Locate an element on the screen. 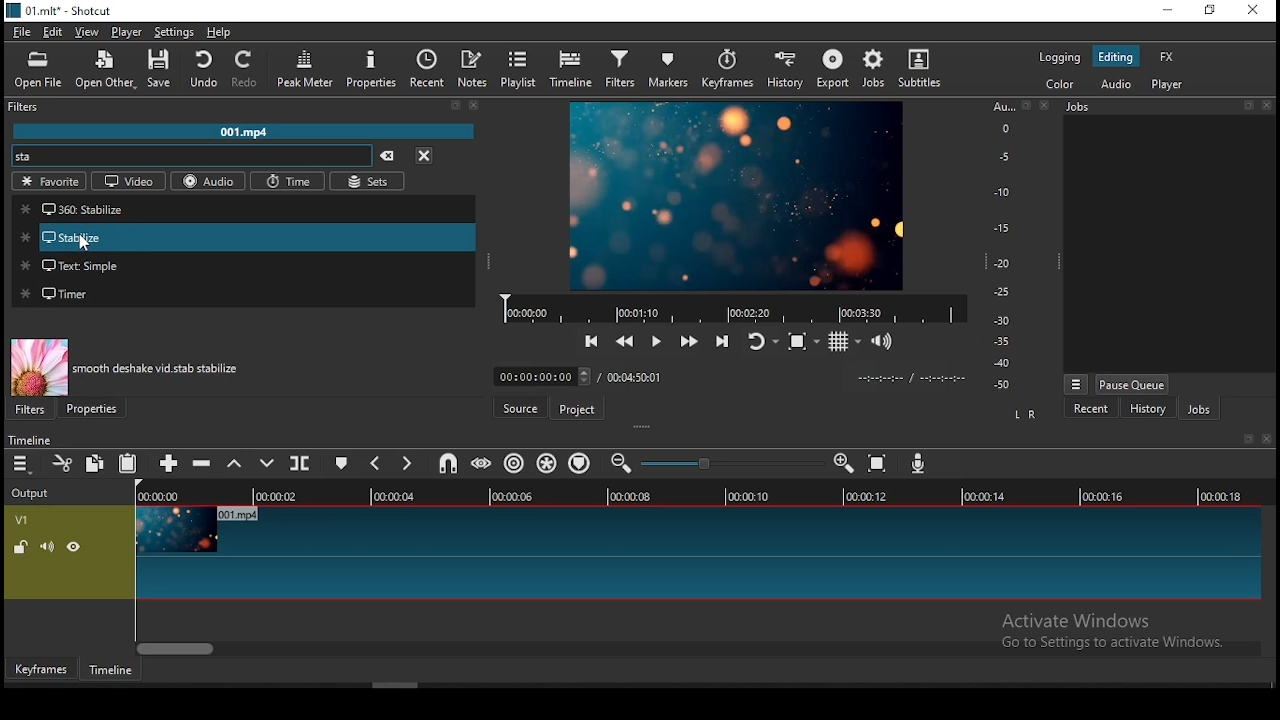 This screenshot has height=720, width=1280. overwrite is located at coordinates (269, 462).